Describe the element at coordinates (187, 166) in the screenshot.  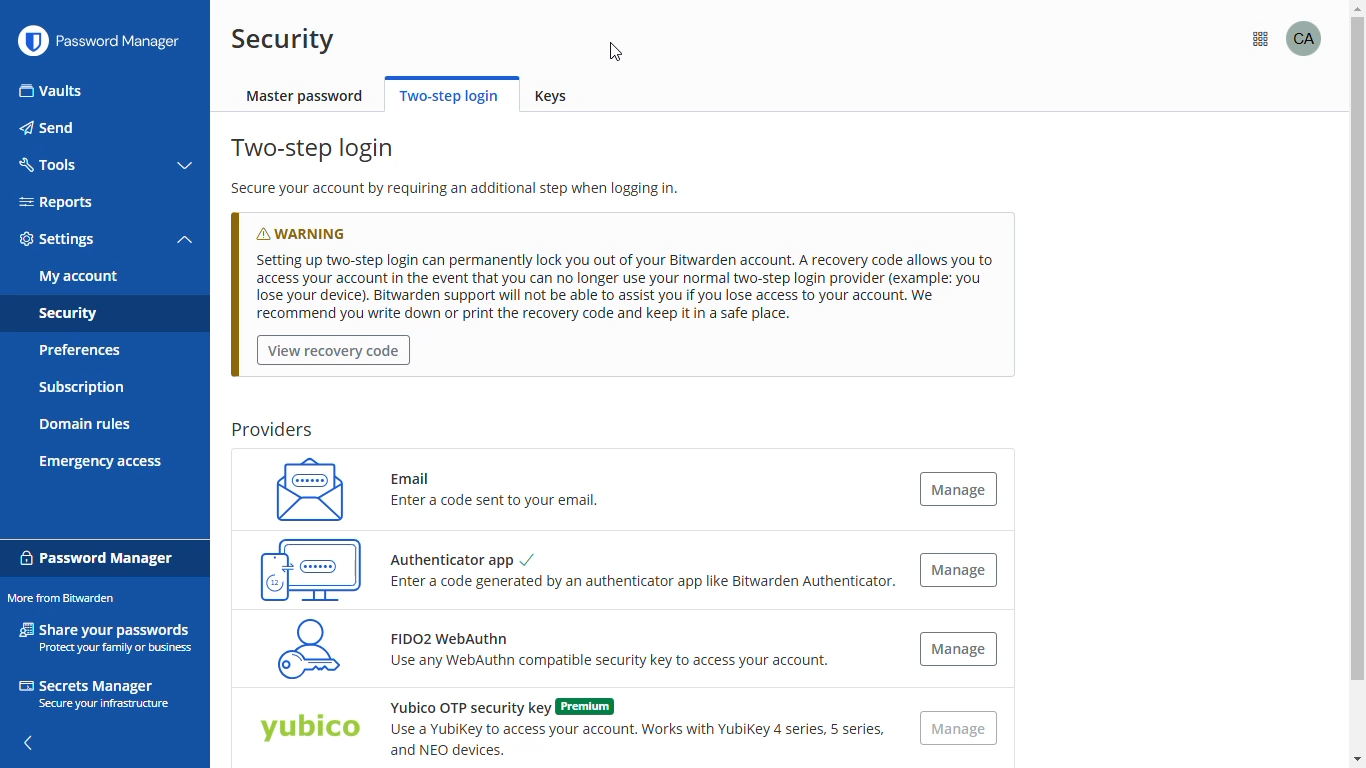
I see `toggle collapse` at that location.